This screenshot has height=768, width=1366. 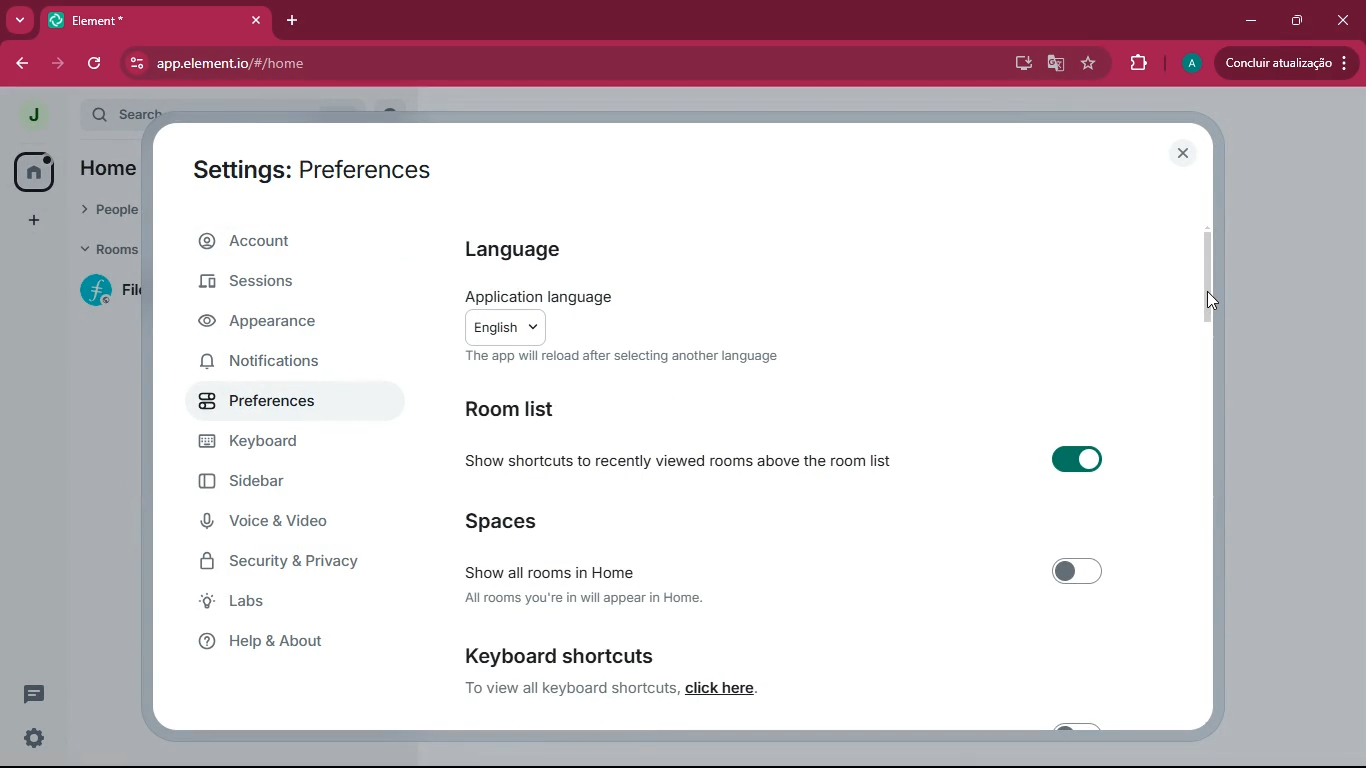 I want to click on spaces, so click(x=561, y=521).